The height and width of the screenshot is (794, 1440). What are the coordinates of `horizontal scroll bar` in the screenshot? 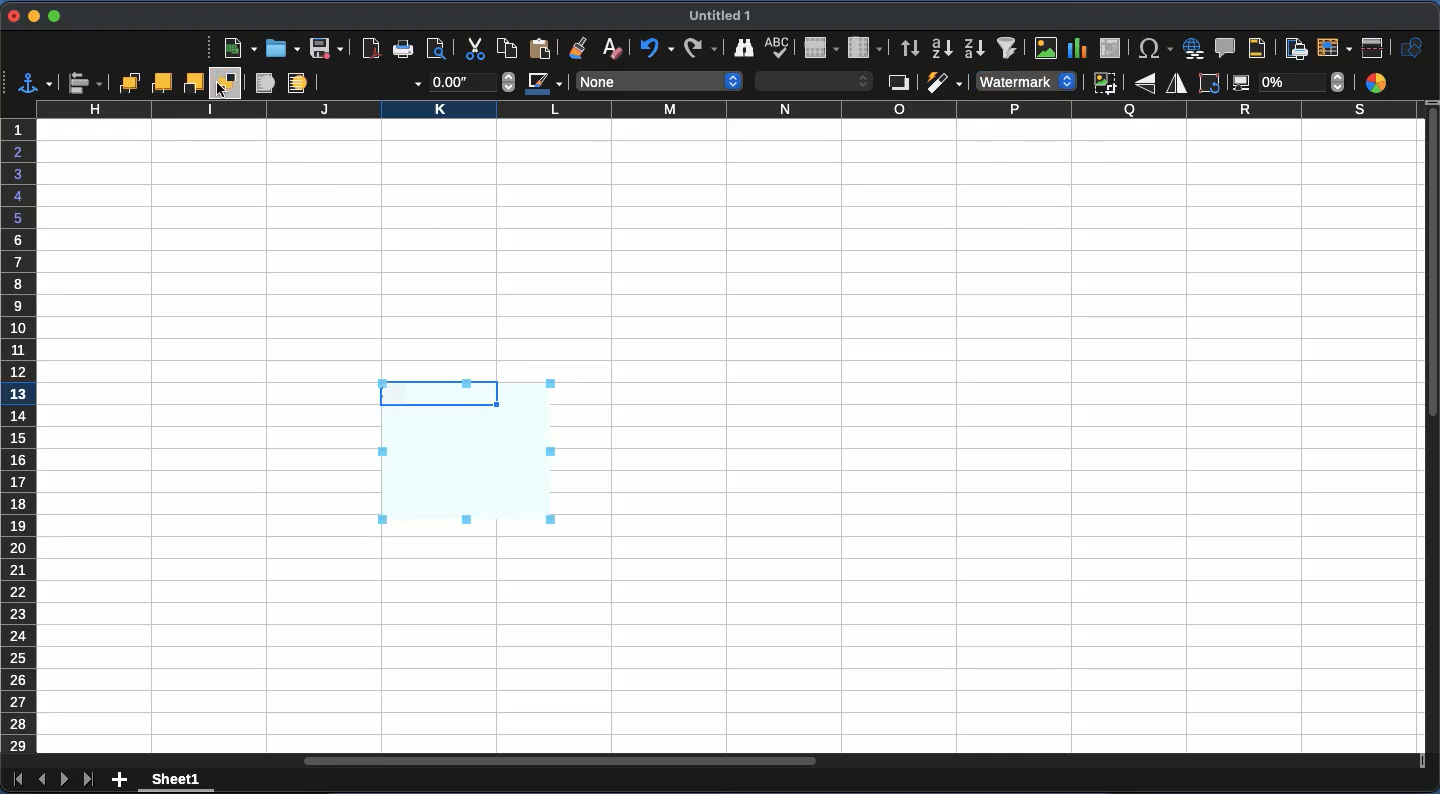 It's located at (562, 761).